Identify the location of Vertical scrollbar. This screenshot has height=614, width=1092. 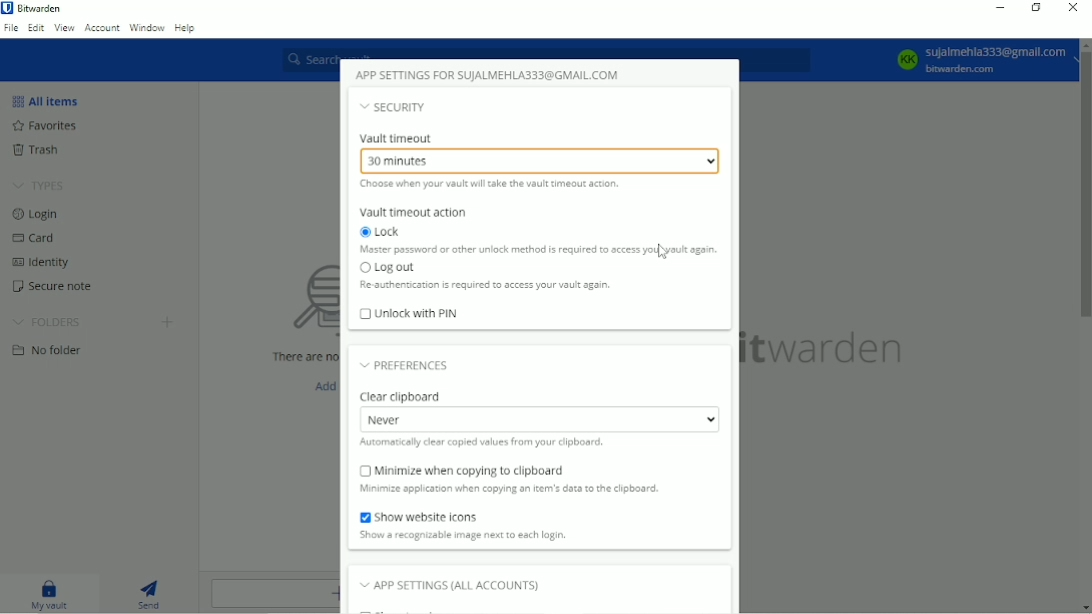
(1085, 186).